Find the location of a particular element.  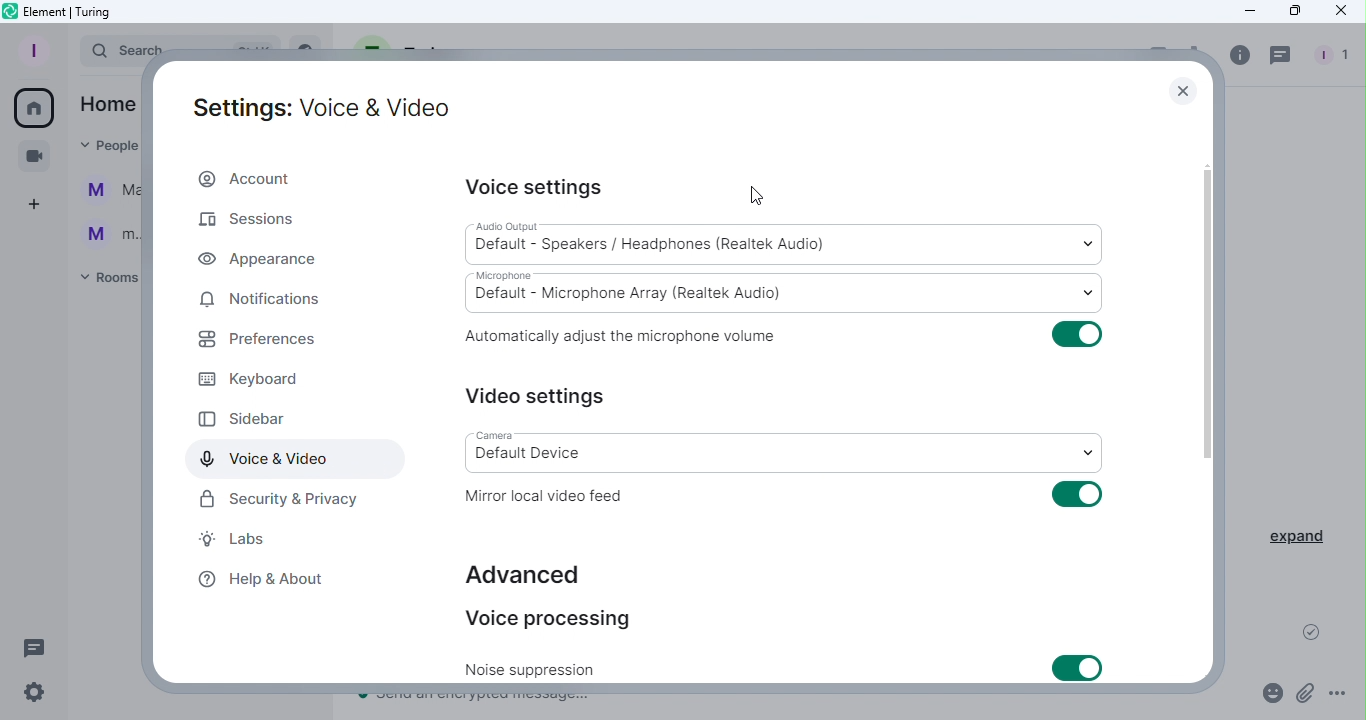

Preferences is located at coordinates (256, 339).